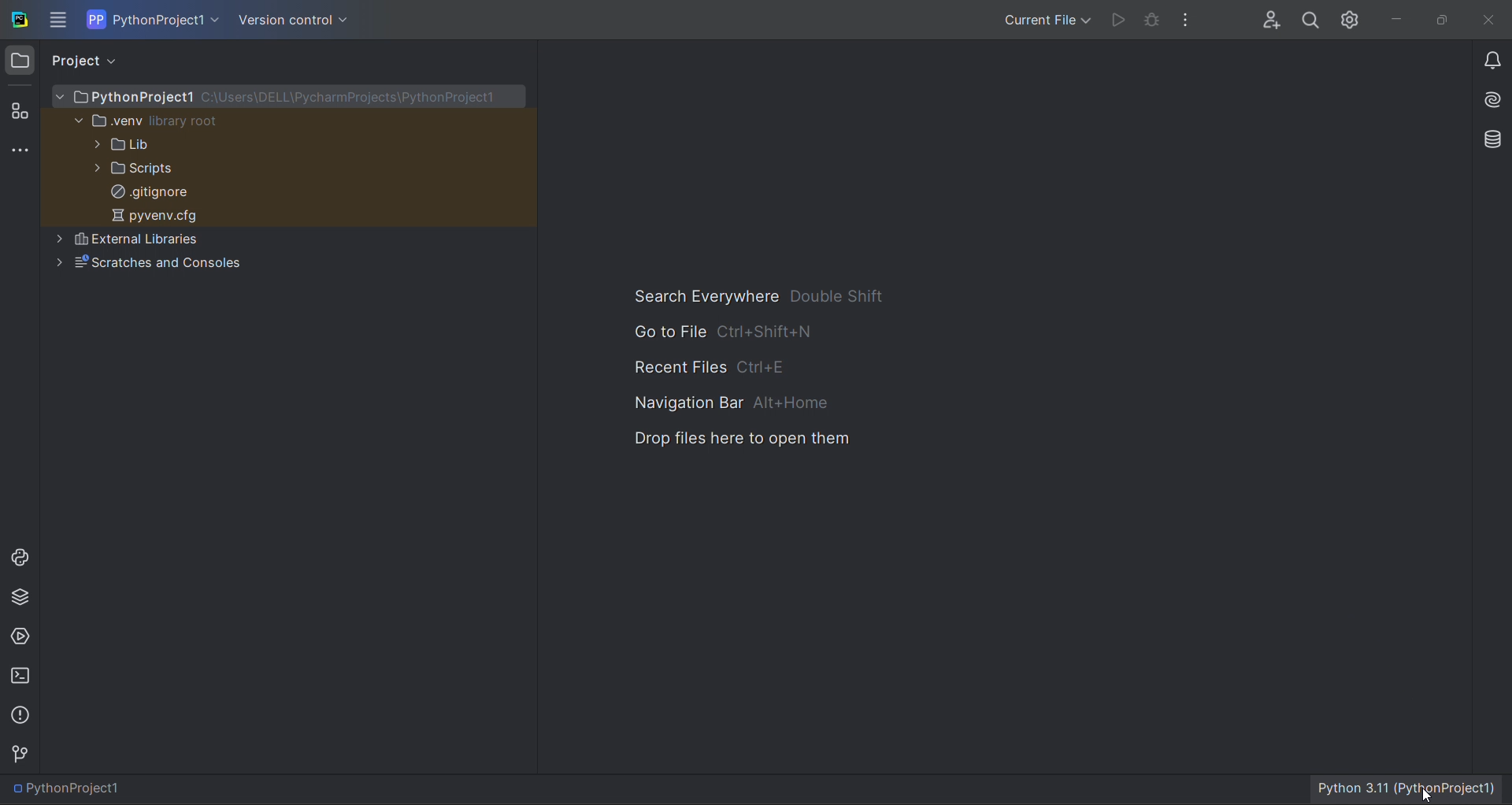 This screenshot has height=805, width=1512. Describe the element at coordinates (19, 109) in the screenshot. I see `structure` at that location.